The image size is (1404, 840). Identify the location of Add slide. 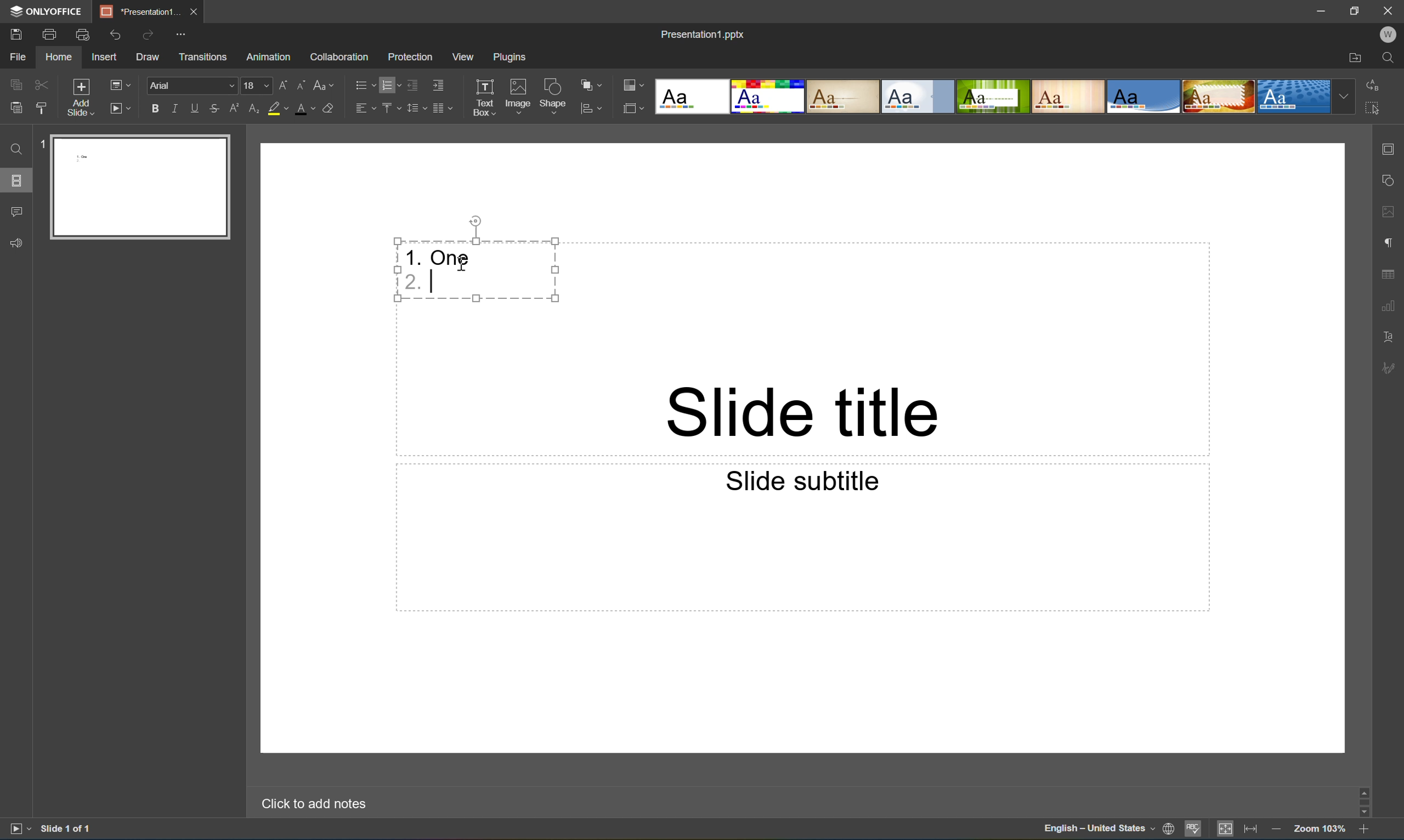
(79, 97).